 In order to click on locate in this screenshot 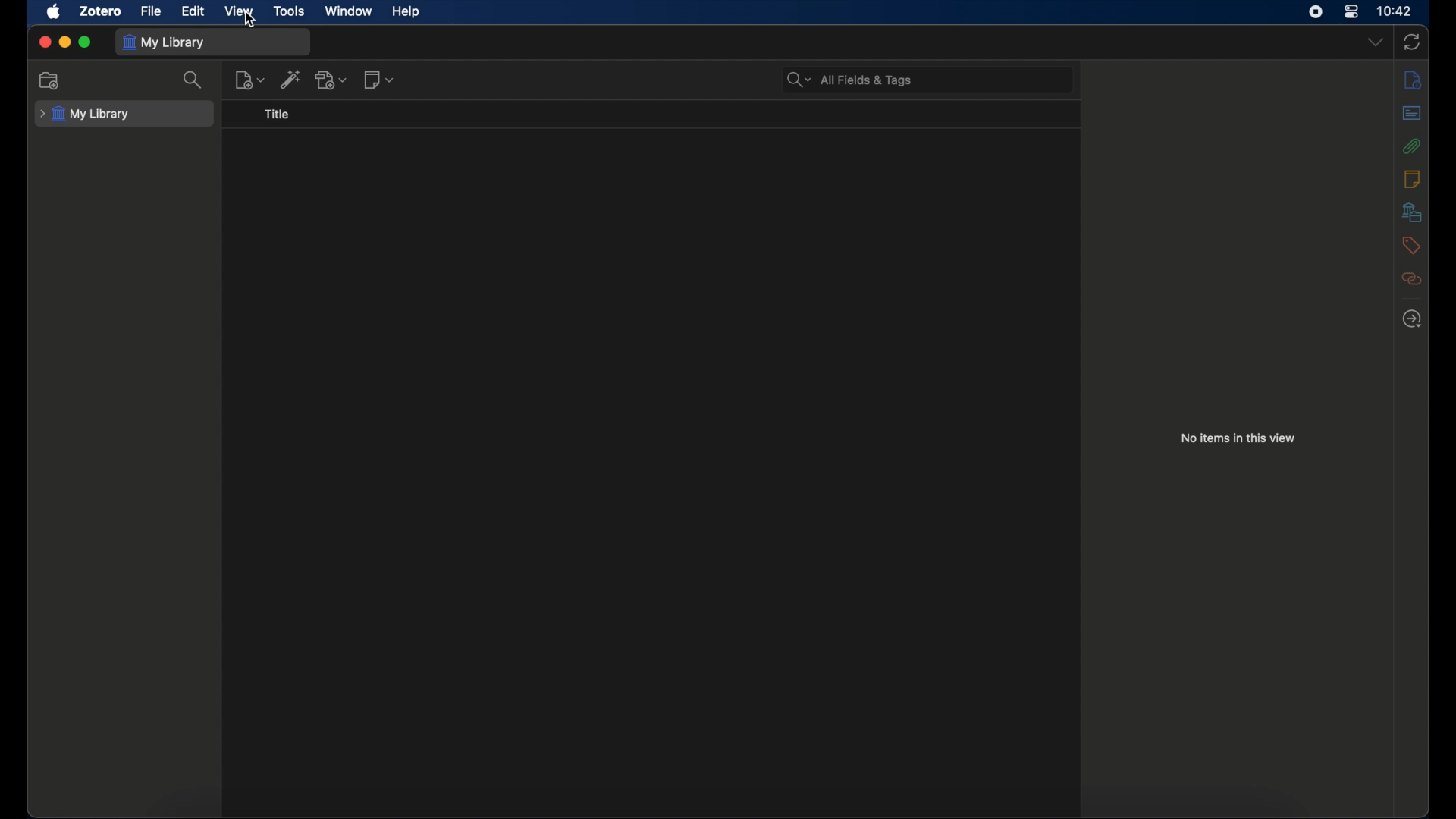, I will do `click(1412, 319)`.